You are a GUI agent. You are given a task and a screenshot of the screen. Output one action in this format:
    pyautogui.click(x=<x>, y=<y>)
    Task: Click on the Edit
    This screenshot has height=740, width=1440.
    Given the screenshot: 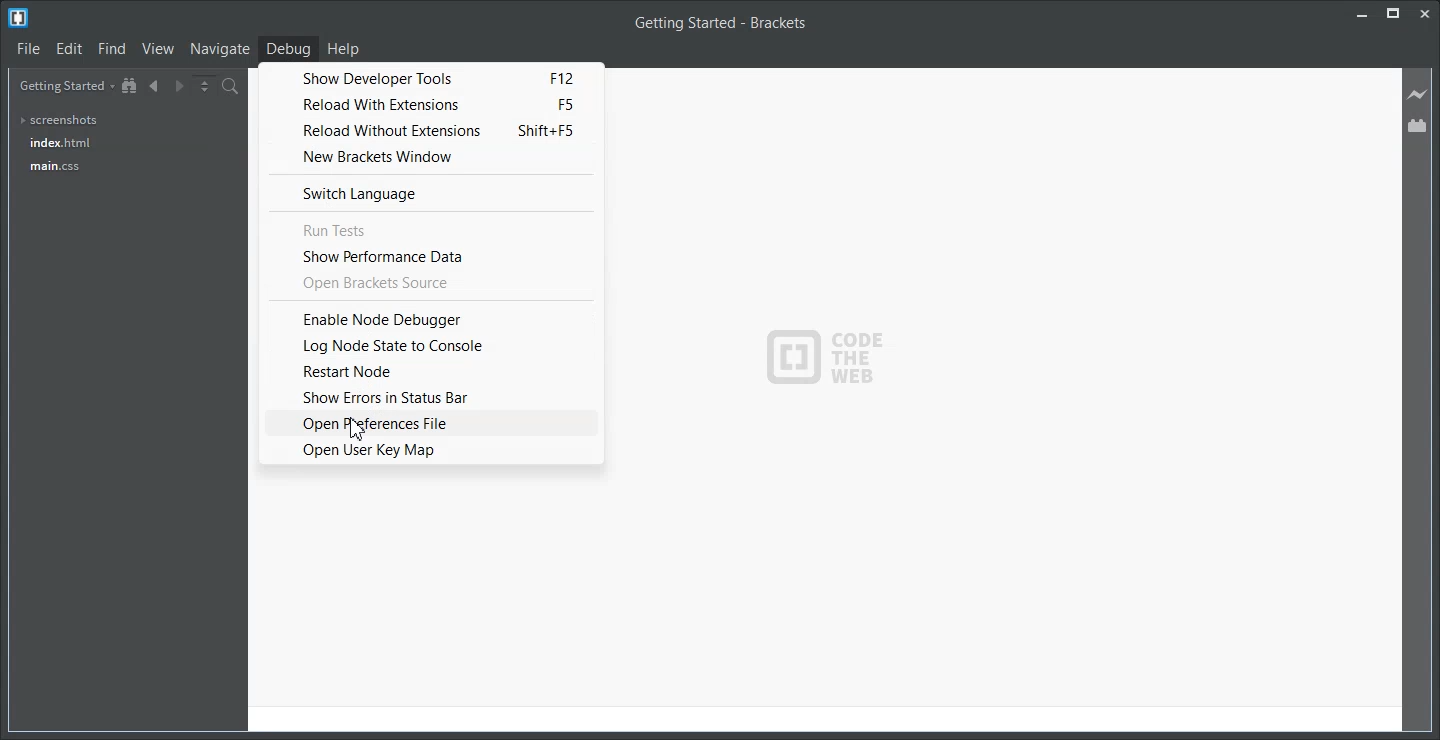 What is the action you would take?
    pyautogui.click(x=69, y=49)
    